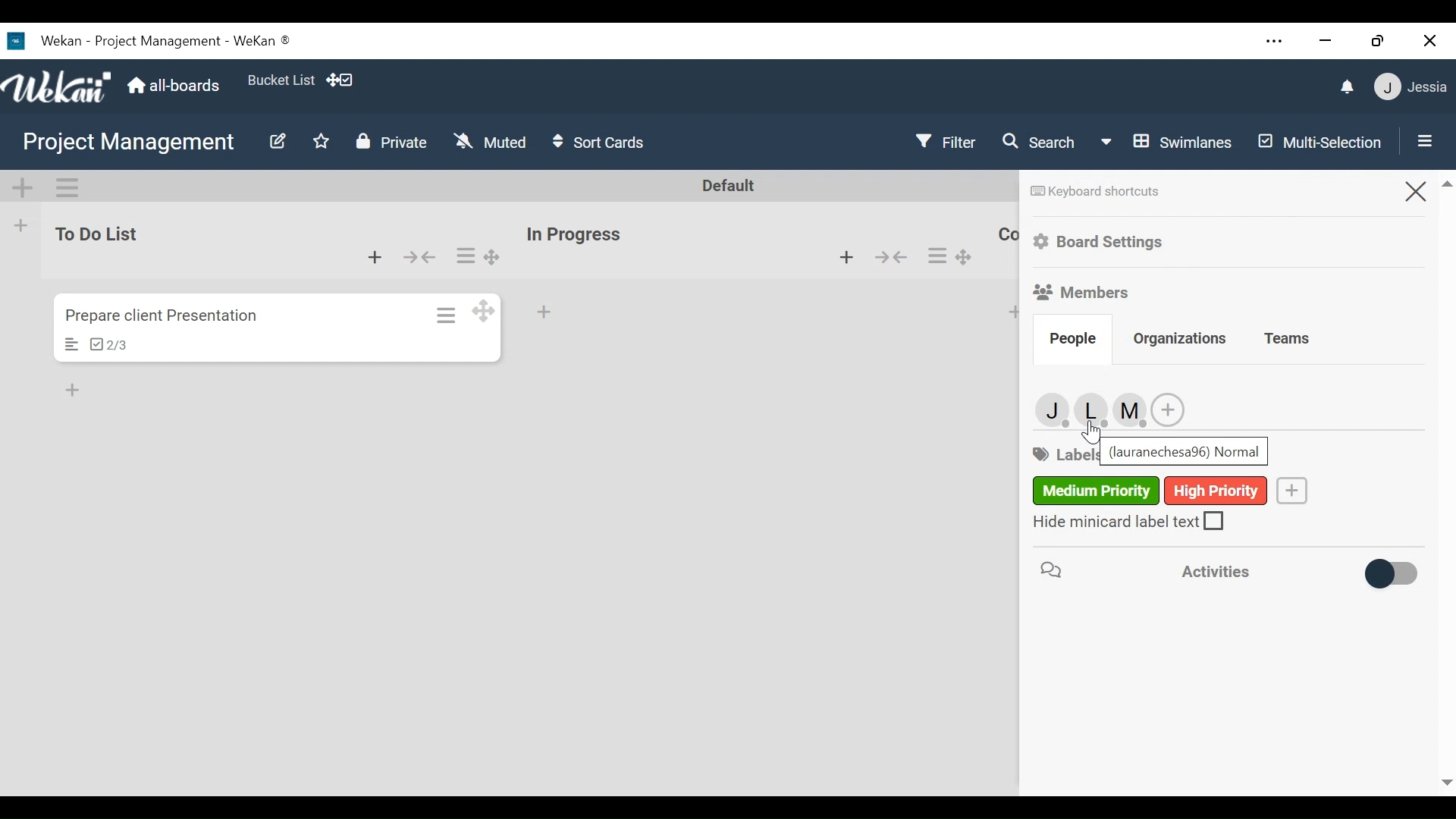 The width and height of the screenshot is (1456, 819). What do you see at coordinates (1129, 520) in the screenshot?
I see `(un)check Hide minicard text` at bounding box center [1129, 520].